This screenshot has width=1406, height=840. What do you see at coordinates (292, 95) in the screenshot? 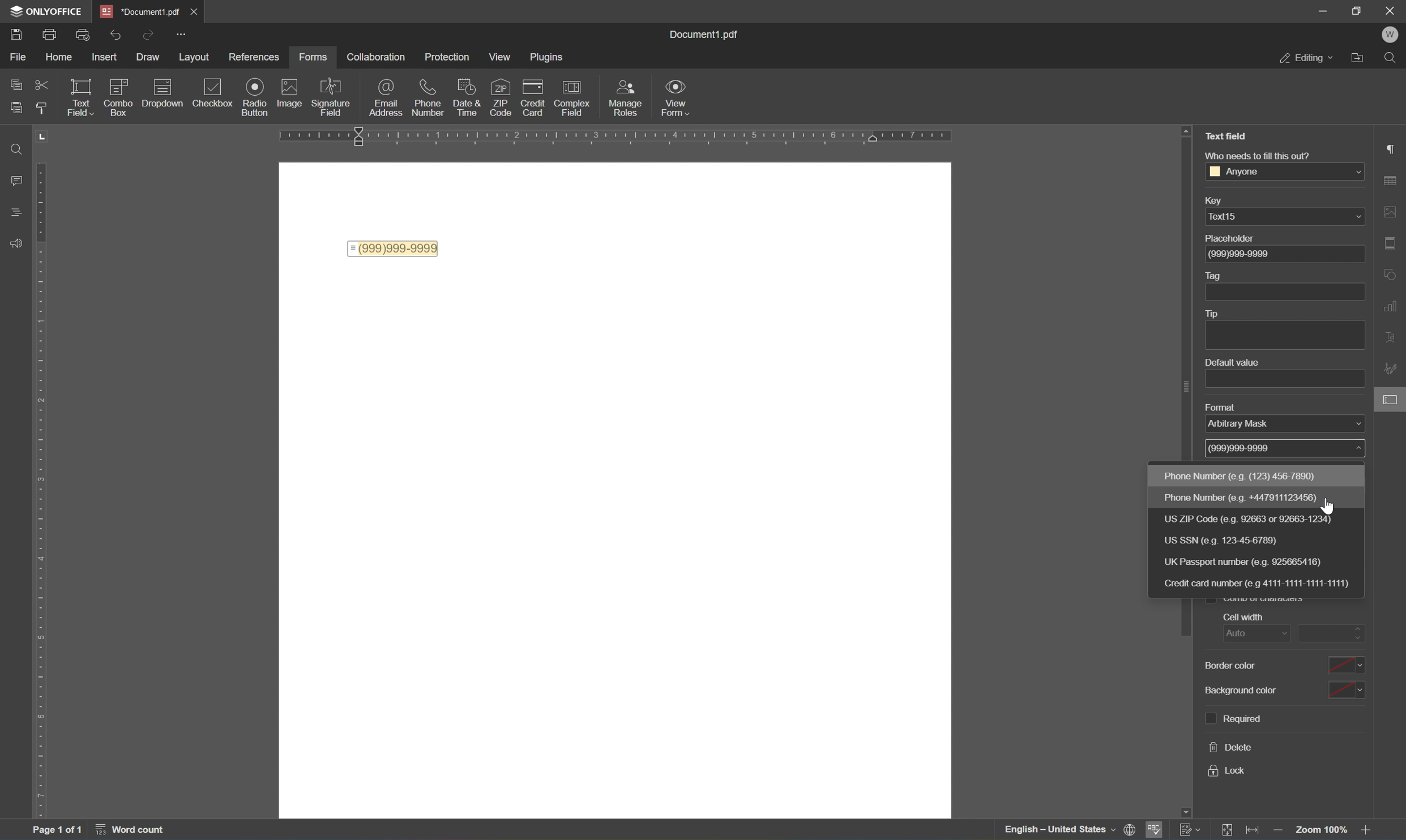
I see `image` at bounding box center [292, 95].